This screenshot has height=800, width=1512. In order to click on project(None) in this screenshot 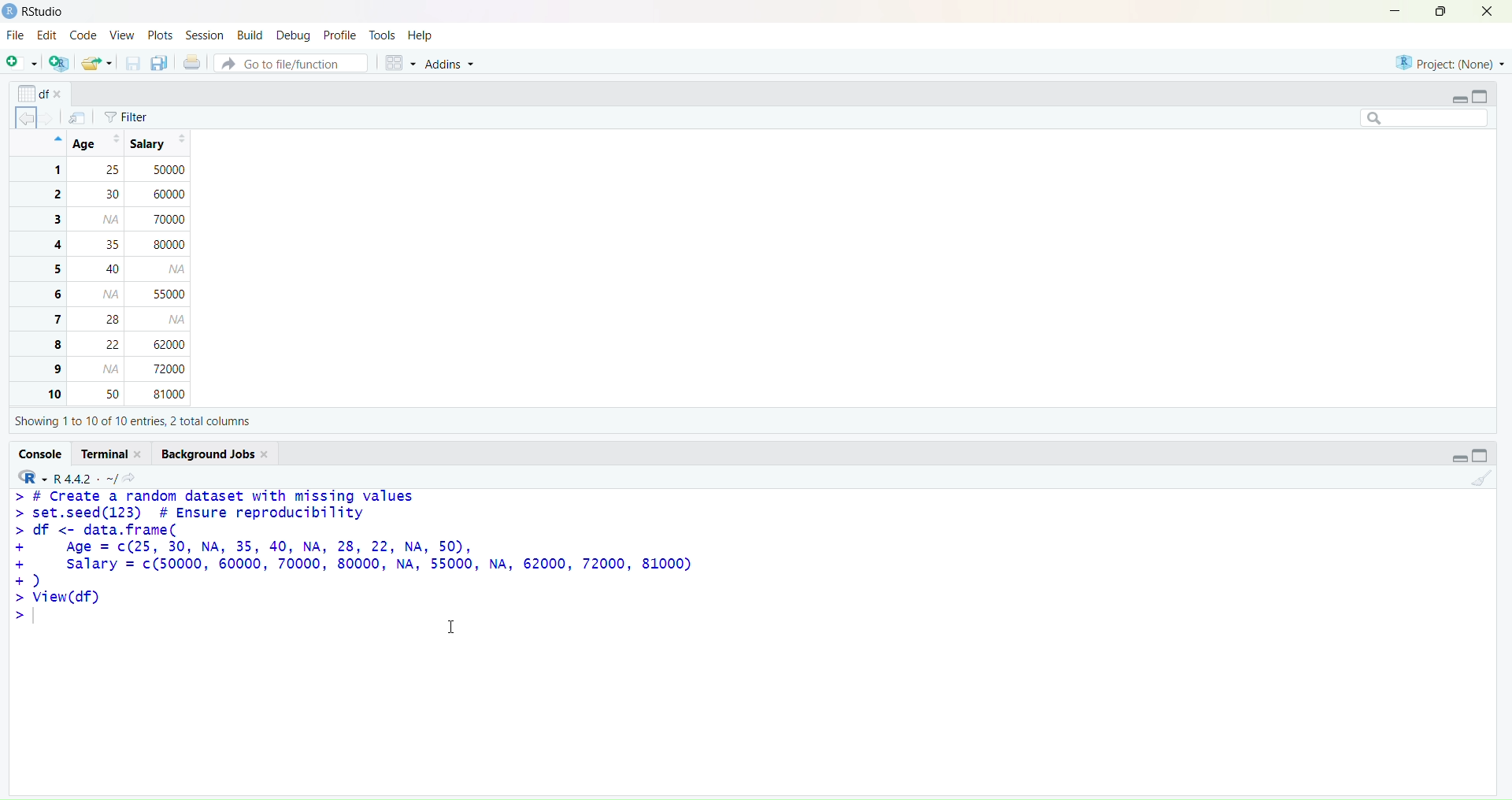, I will do `click(1449, 61)`.